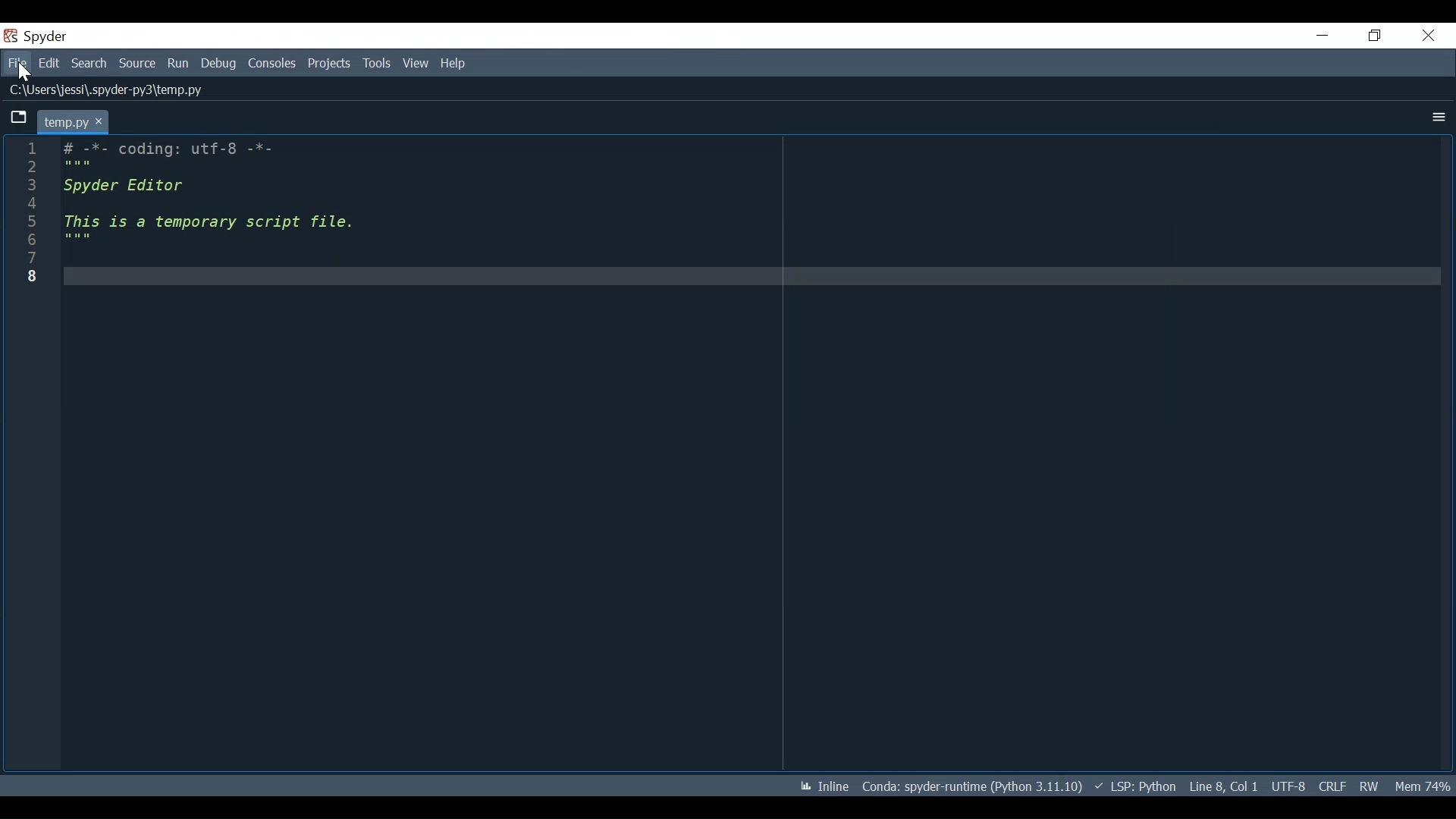  What do you see at coordinates (71, 120) in the screenshot?
I see `Current tab` at bounding box center [71, 120].